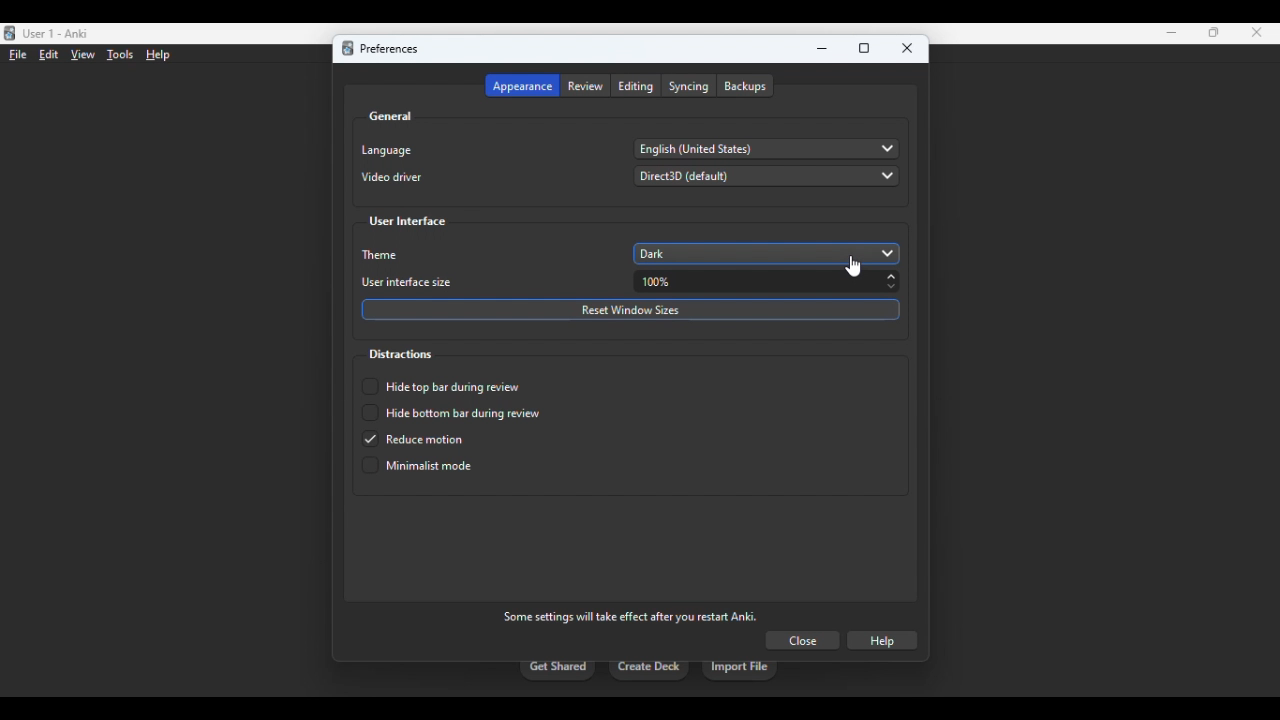  What do you see at coordinates (386, 150) in the screenshot?
I see `language` at bounding box center [386, 150].